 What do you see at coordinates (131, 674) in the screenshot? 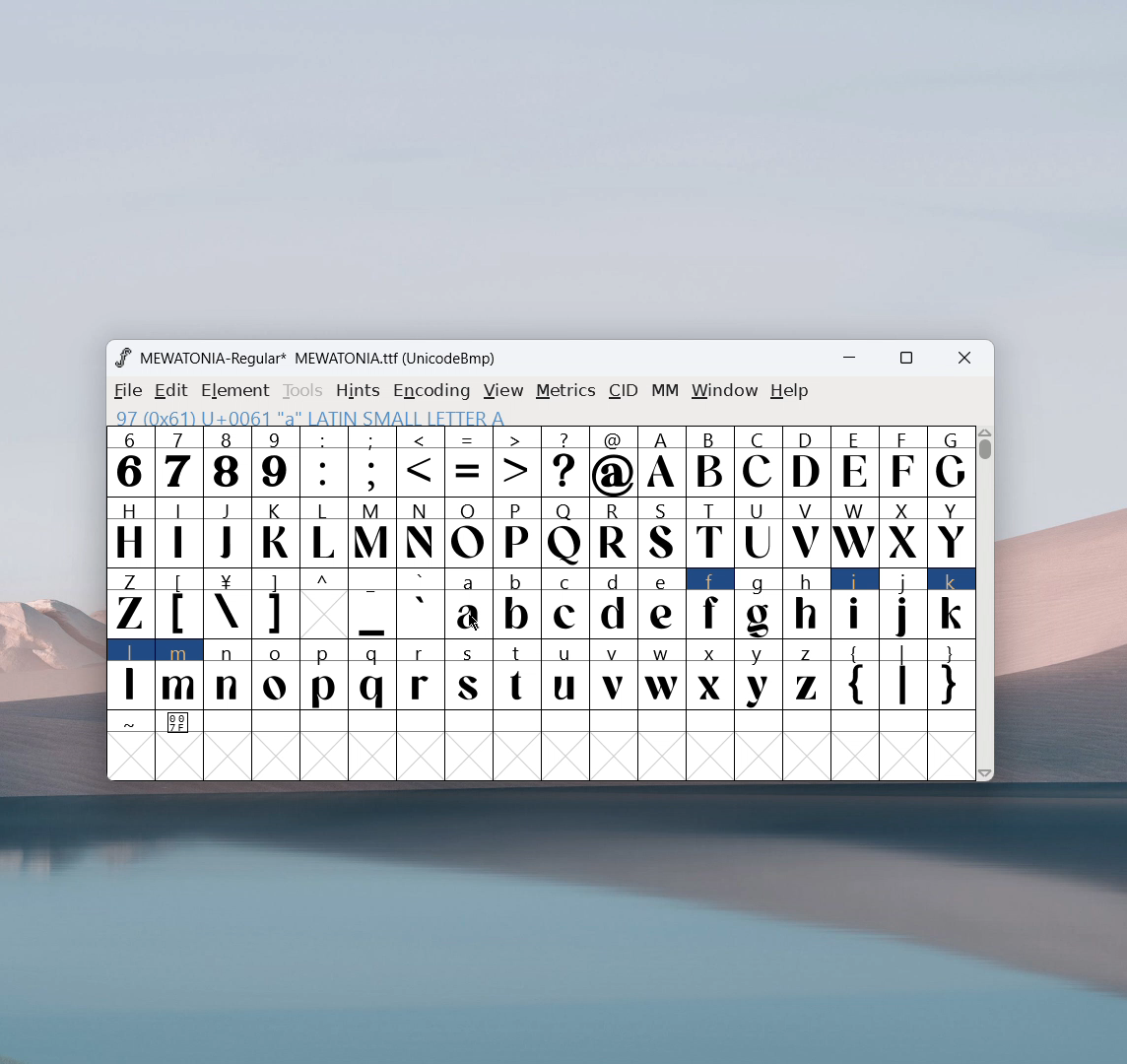
I see `l` at bounding box center [131, 674].